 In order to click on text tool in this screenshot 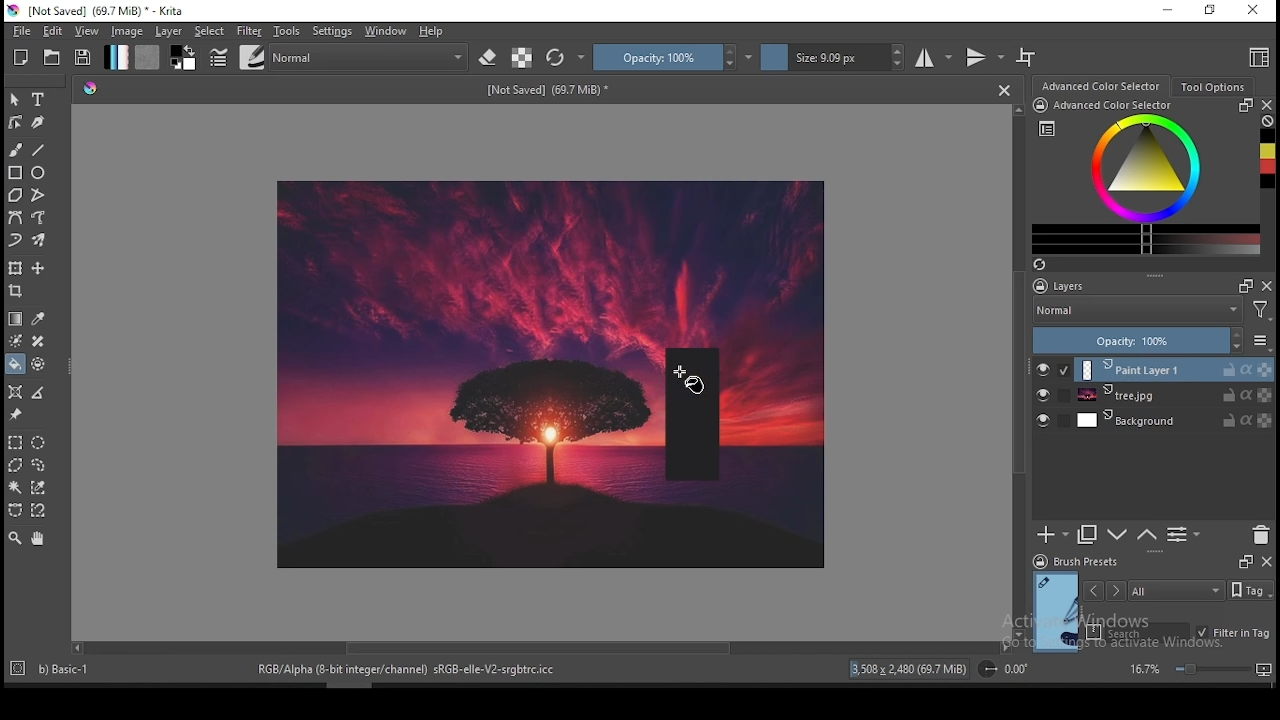, I will do `click(39, 99)`.